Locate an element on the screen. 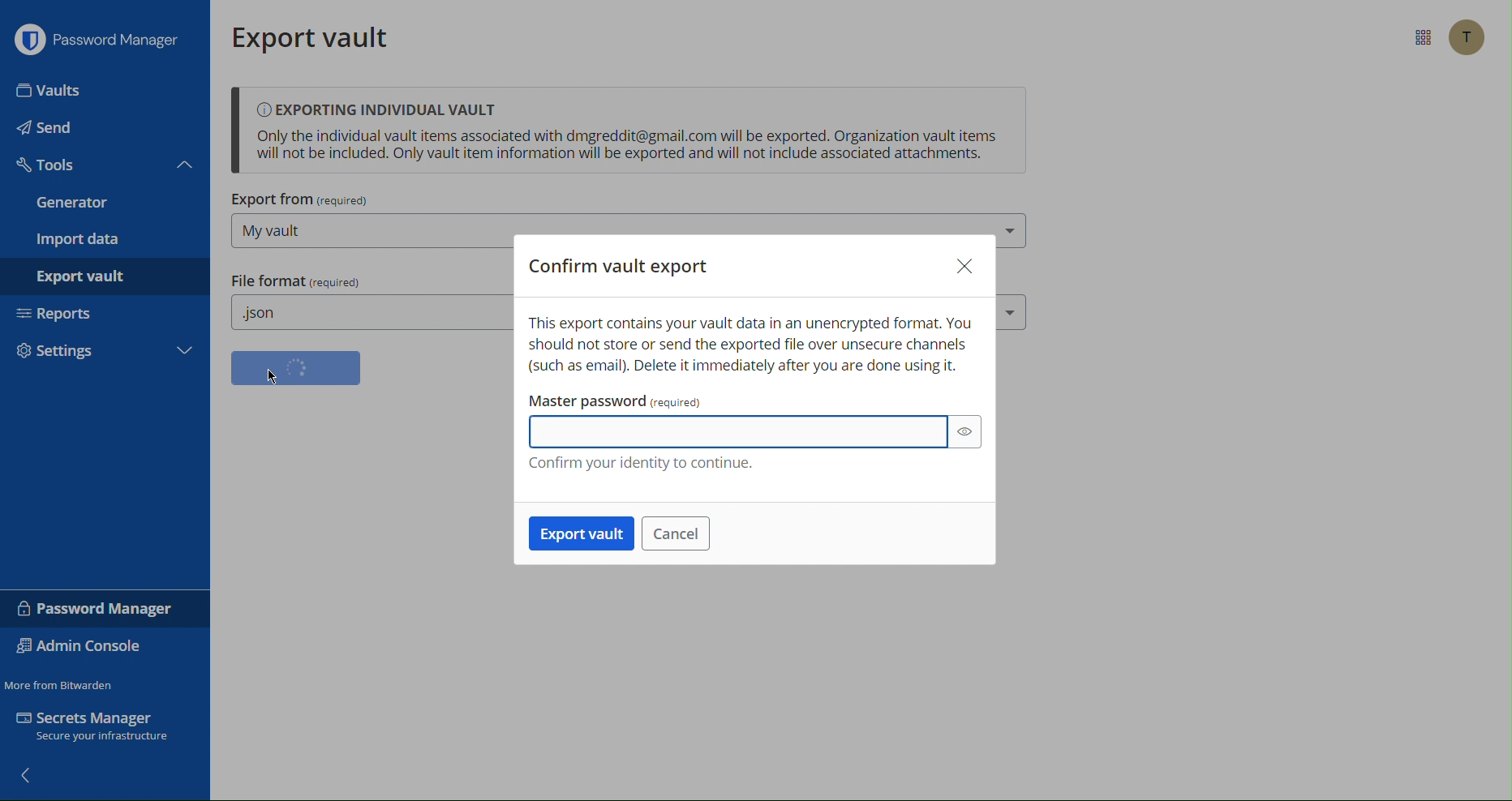 The height and width of the screenshot is (801, 1512). Generator is located at coordinates (101, 206).